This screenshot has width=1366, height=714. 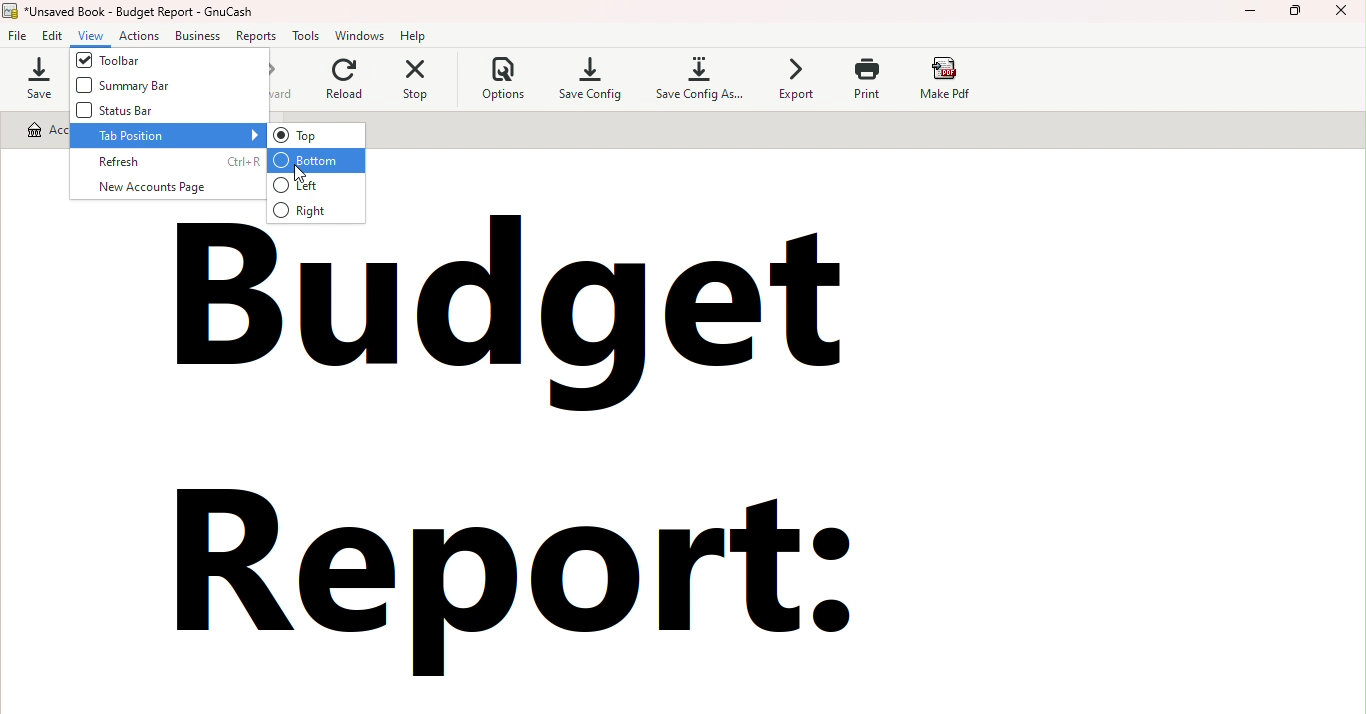 What do you see at coordinates (415, 80) in the screenshot?
I see `Stop` at bounding box center [415, 80].